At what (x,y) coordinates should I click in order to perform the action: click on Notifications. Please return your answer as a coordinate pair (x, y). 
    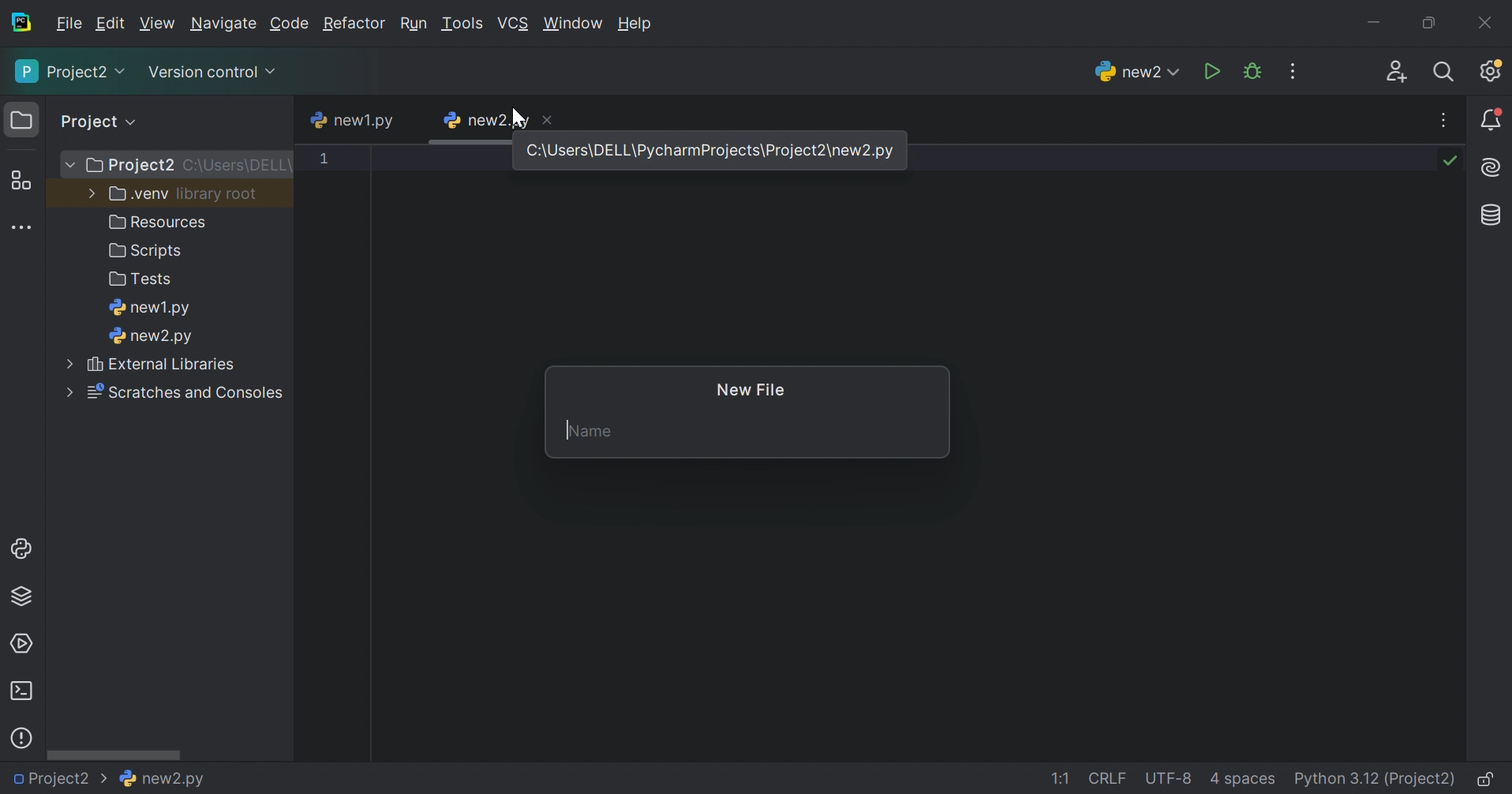
    Looking at the image, I should click on (1492, 119).